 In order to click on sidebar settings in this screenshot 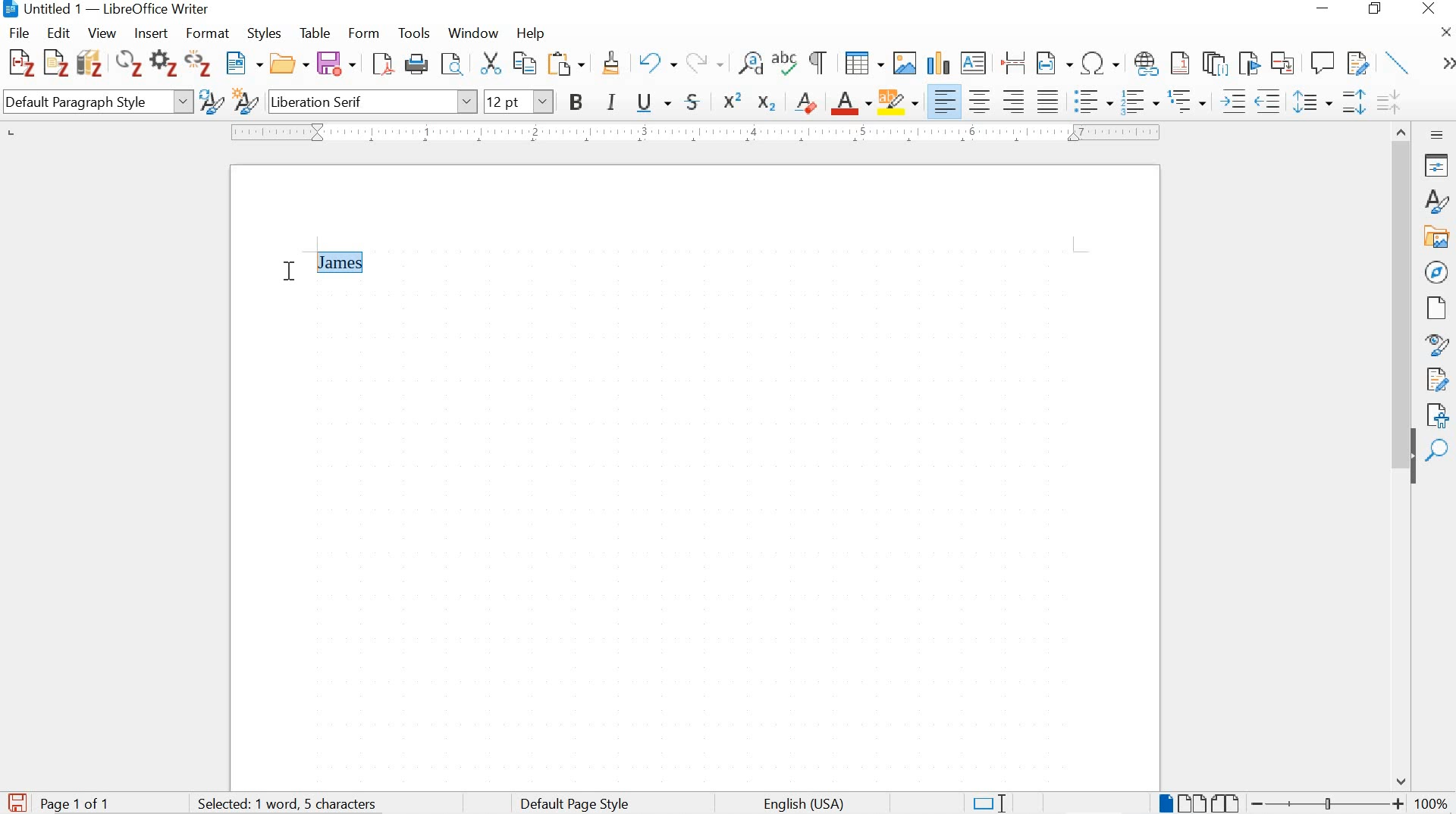, I will do `click(1438, 134)`.